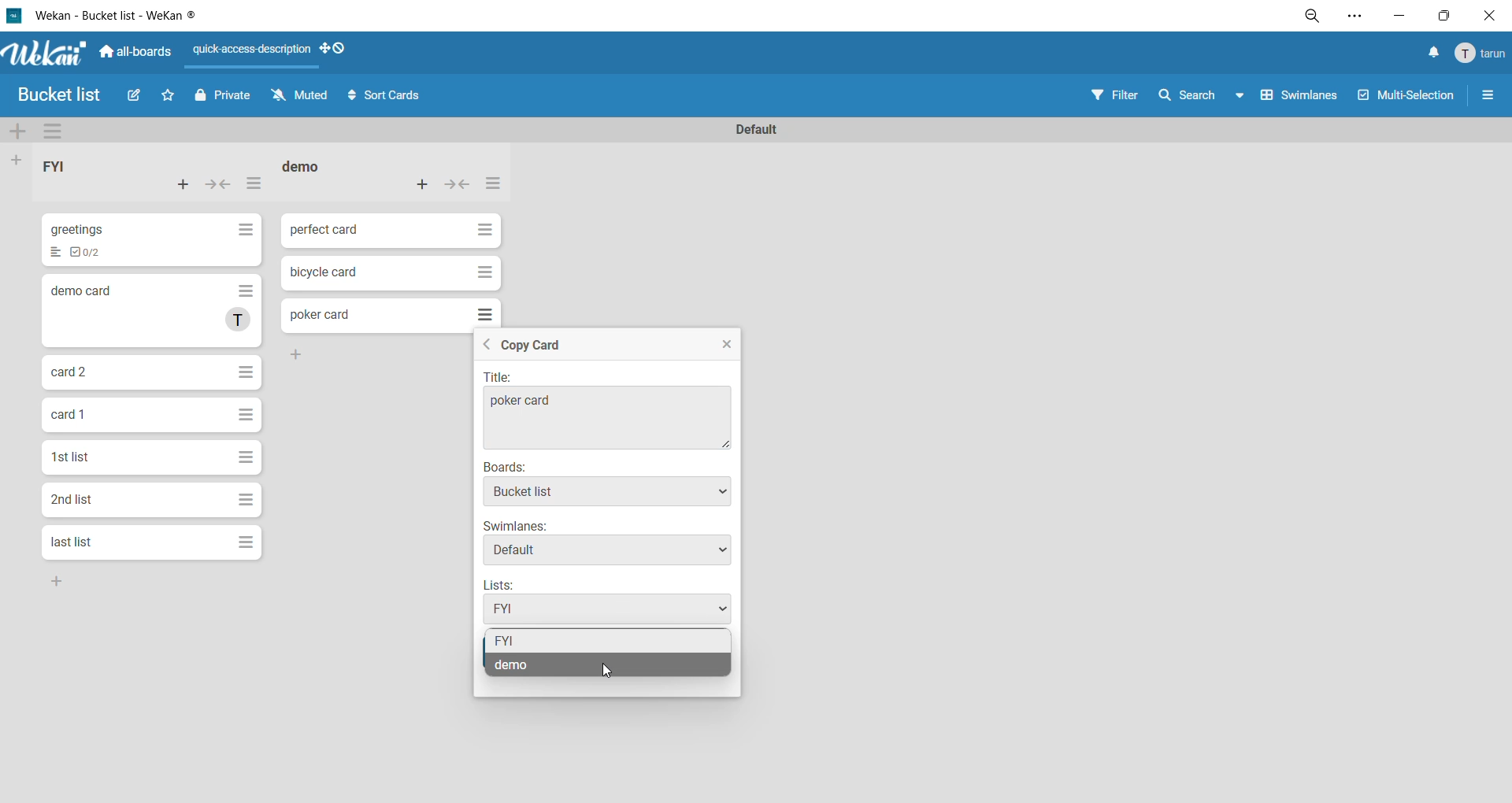 The width and height of the screenshot is (1512, 803). I want to click on sort cards, so click(385, 96).